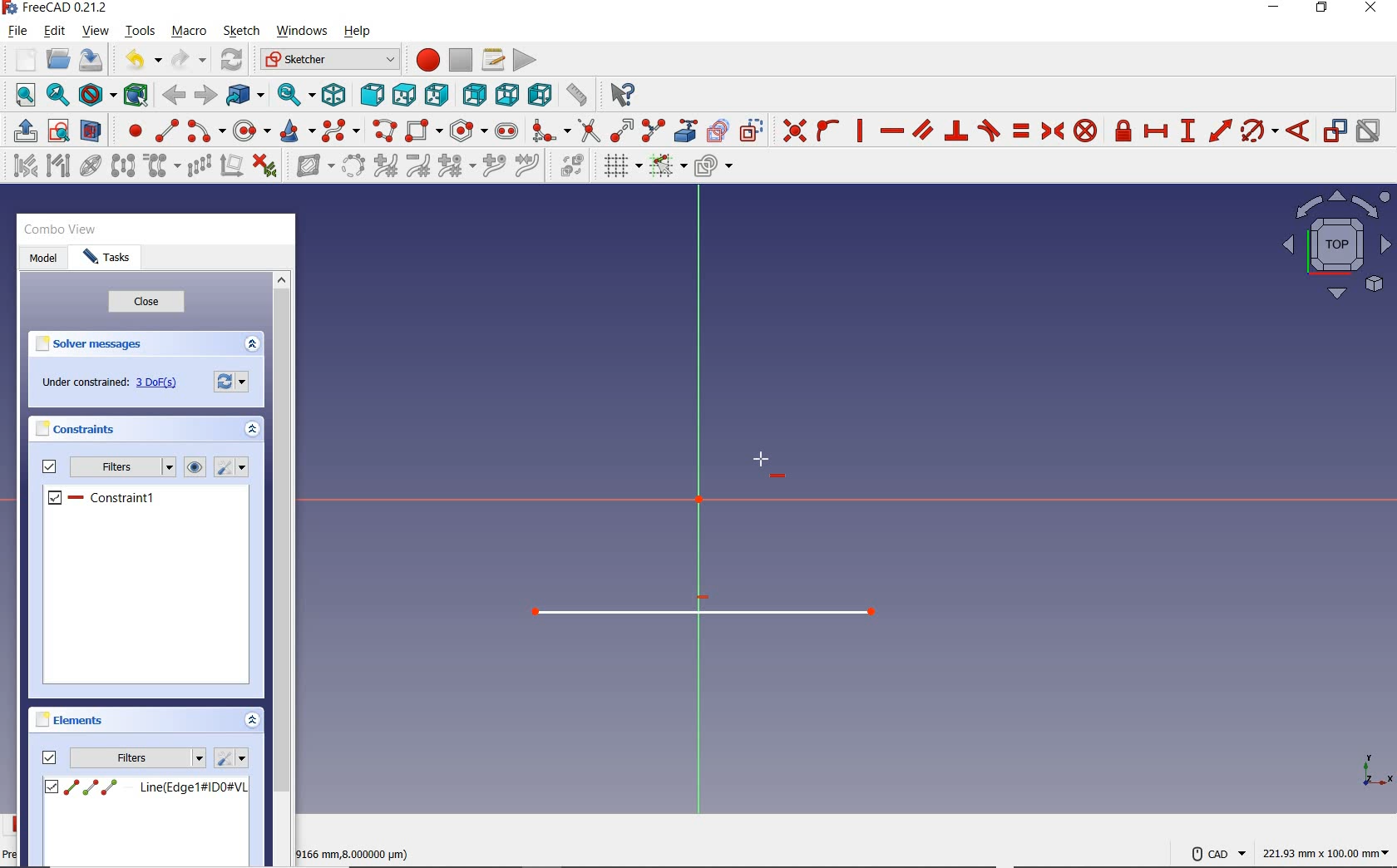 The height and width of the screenshot is (868, 1397). What do you see at coordinates (54, 31) in the screenshot?
I see `EDIT` at bounding box center [54, 31].